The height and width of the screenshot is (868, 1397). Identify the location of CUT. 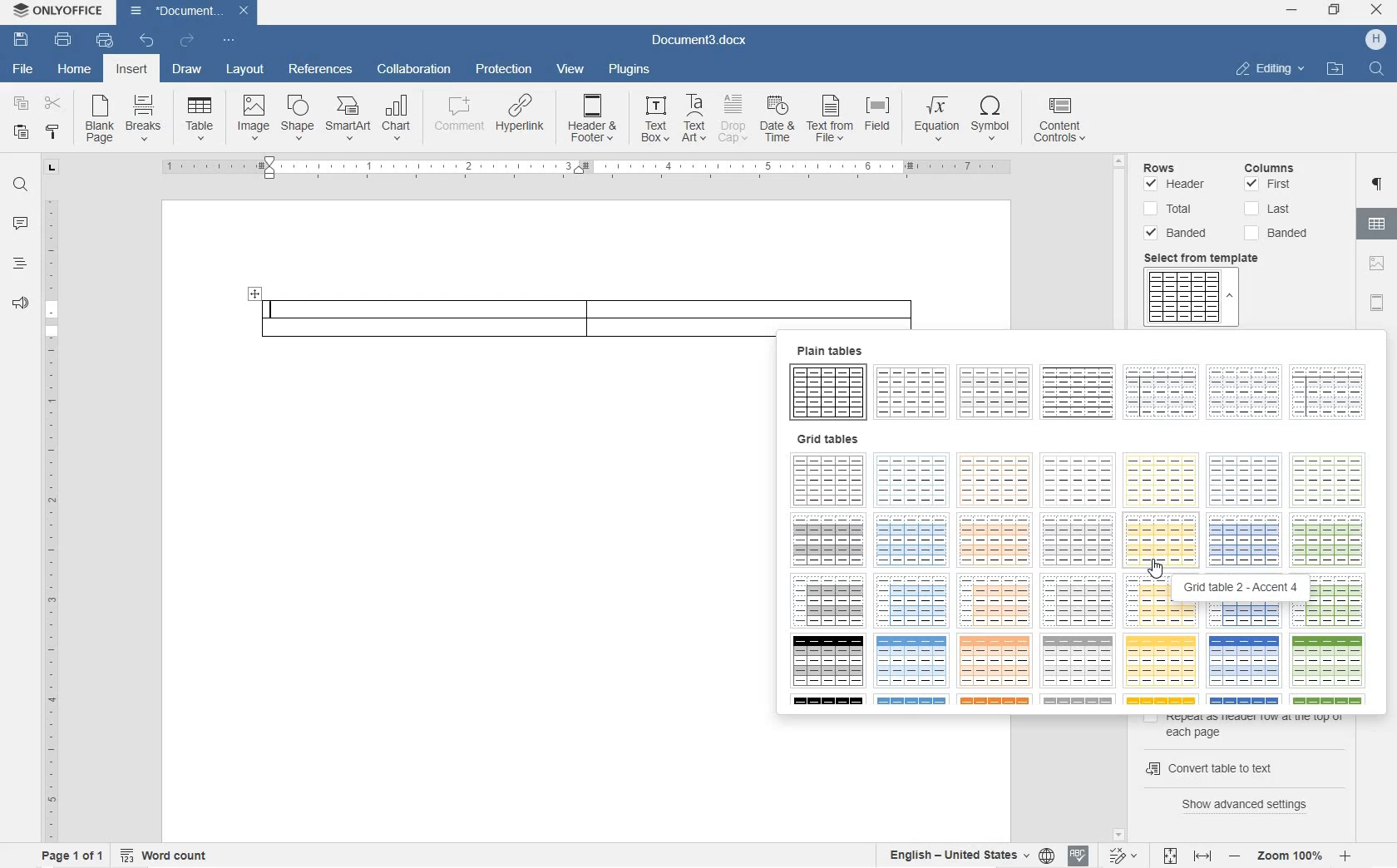
(57, 106).